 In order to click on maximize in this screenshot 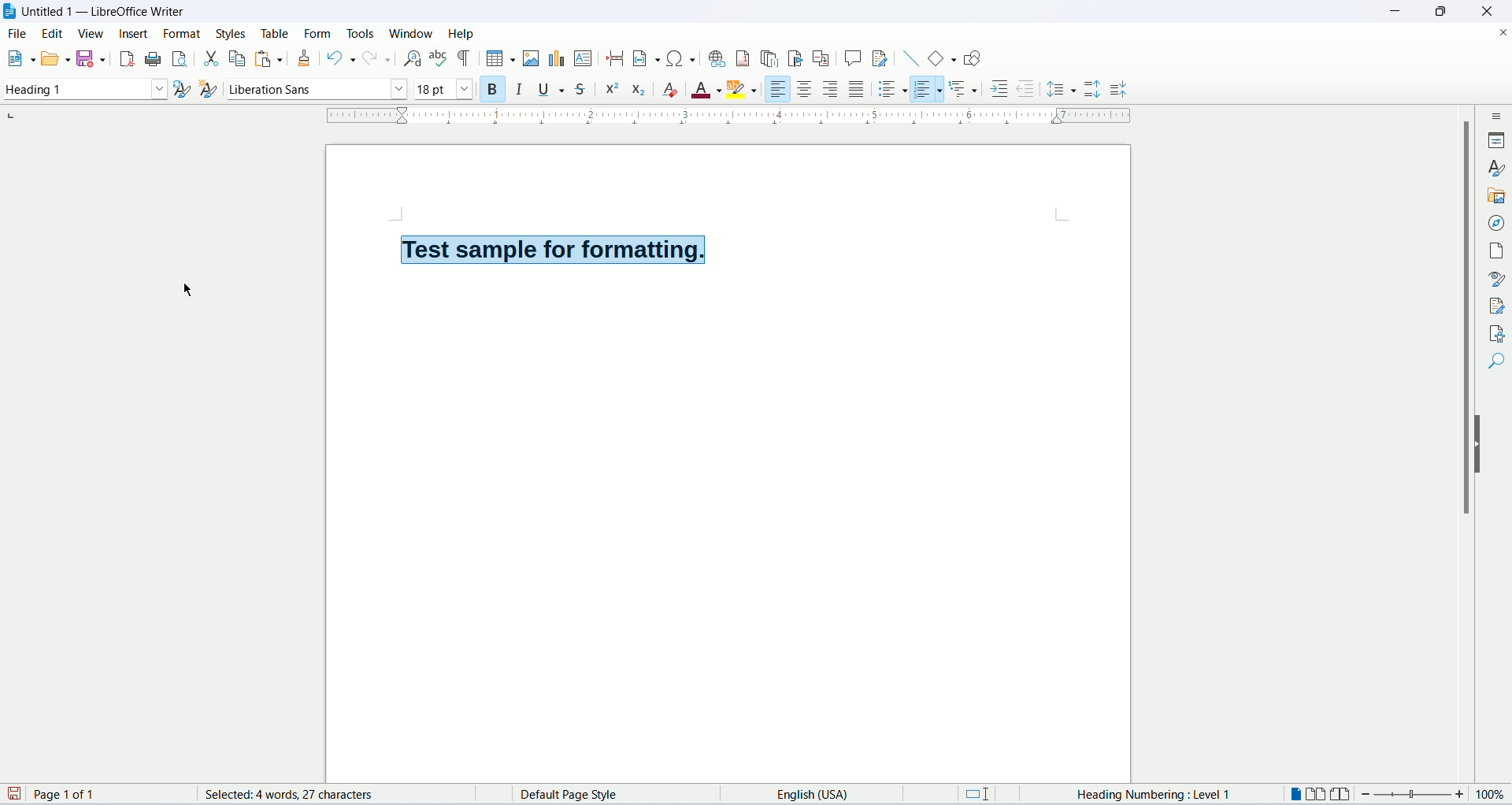, I will do `click(1440, 11)`.